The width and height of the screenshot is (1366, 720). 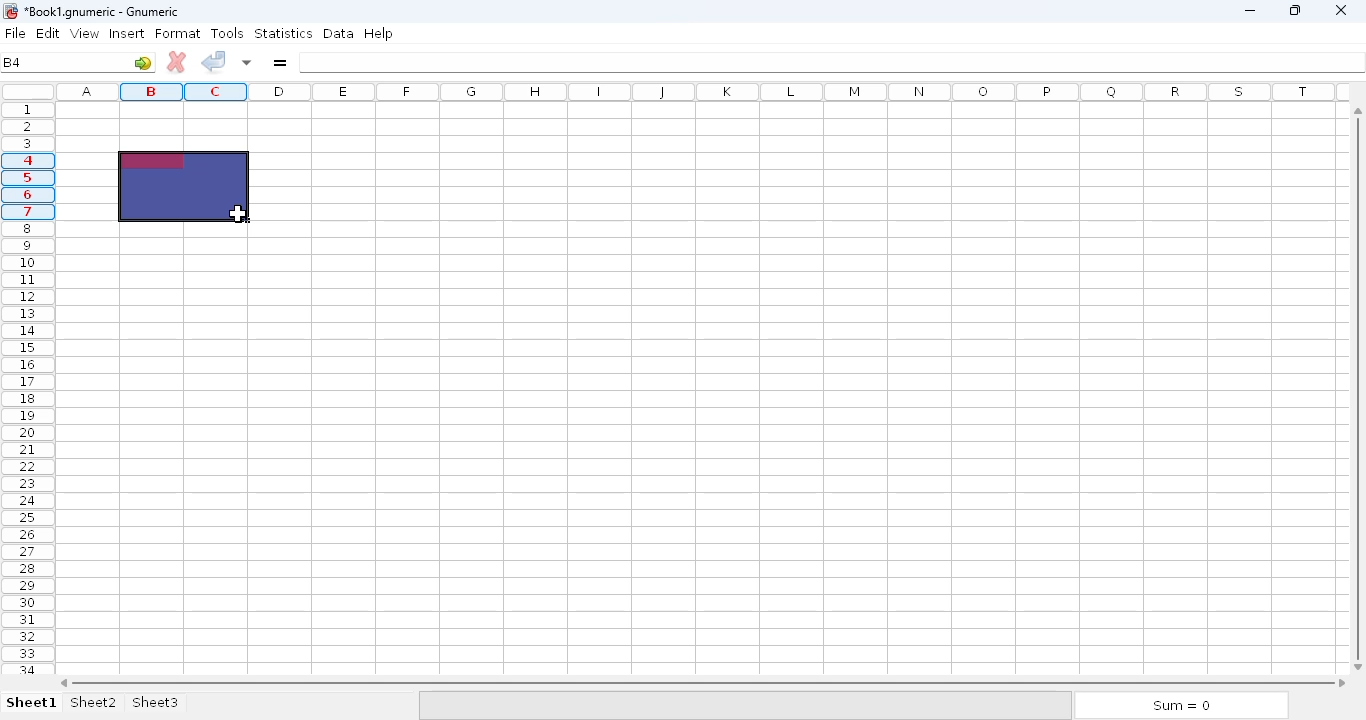 What do you see at coordinates (701, 93) in the screenshot?
I see `columns` at bounding box center [701, 93].